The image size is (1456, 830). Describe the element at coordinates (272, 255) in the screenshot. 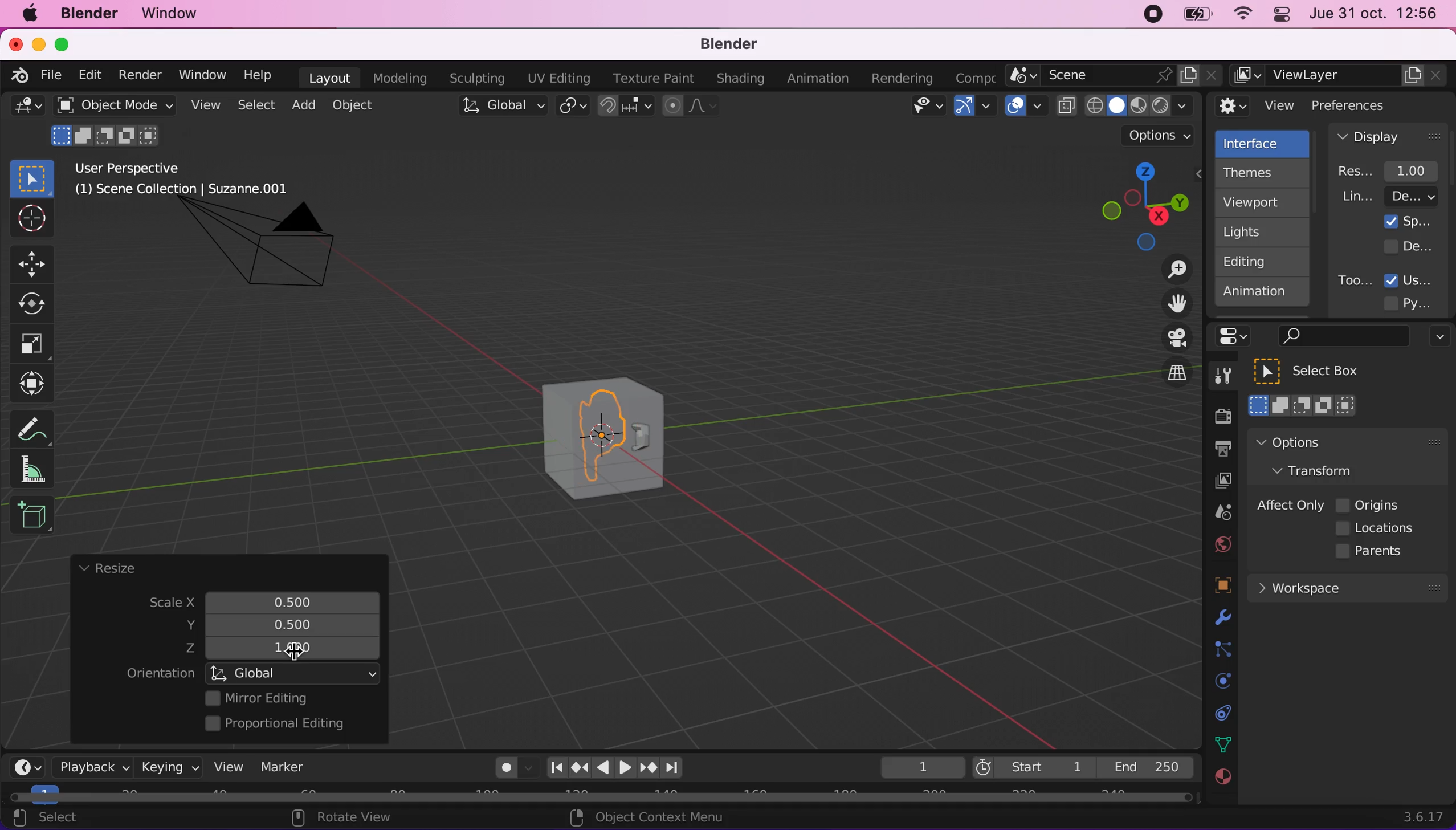

I see `camera` at that location.